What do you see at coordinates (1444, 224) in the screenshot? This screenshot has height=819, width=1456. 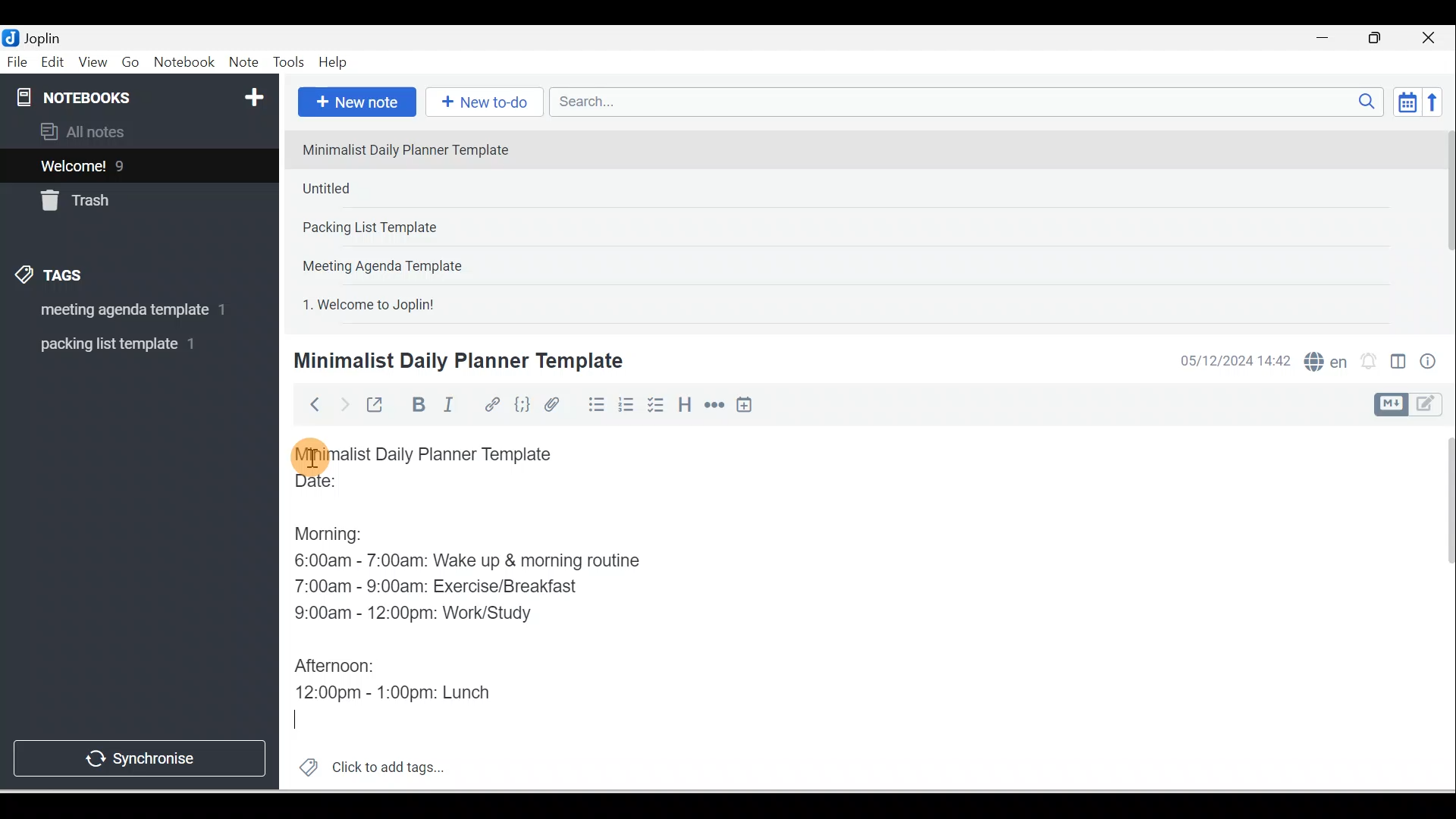 I see `Scroll bar` at bounding box center [1444, 224].